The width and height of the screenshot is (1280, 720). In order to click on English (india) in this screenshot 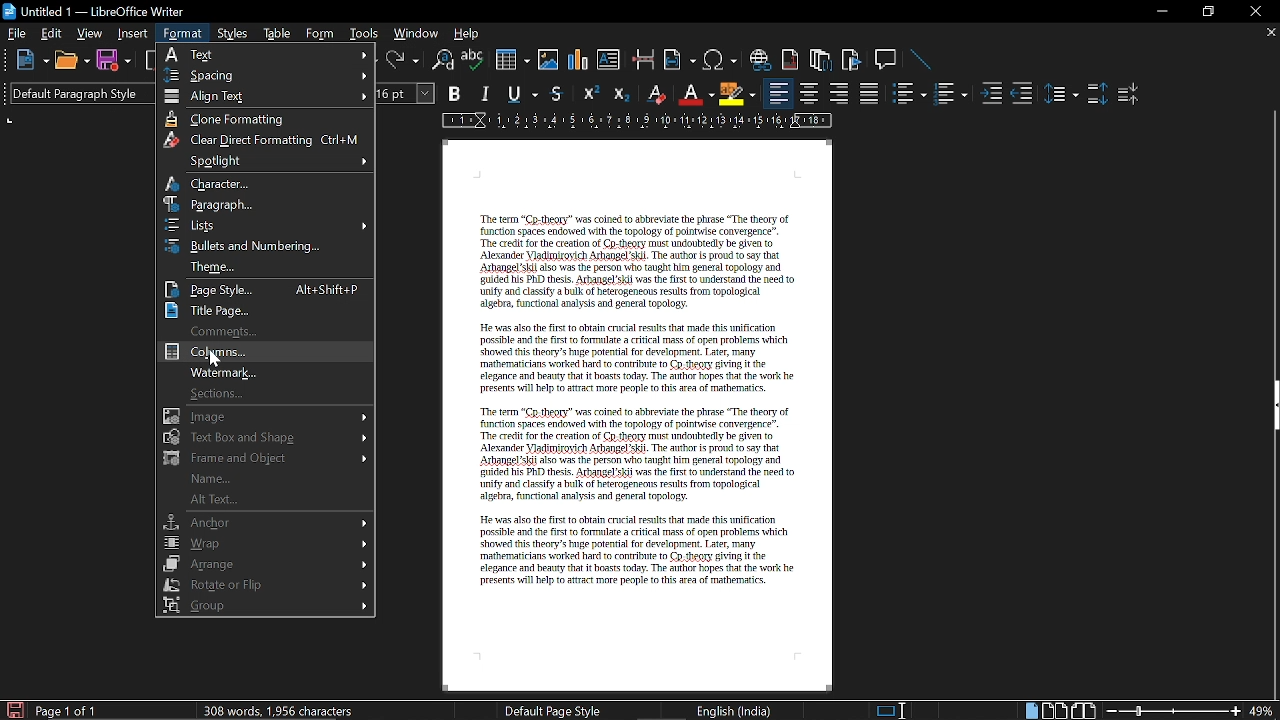, I will do `click(733, 711)`.